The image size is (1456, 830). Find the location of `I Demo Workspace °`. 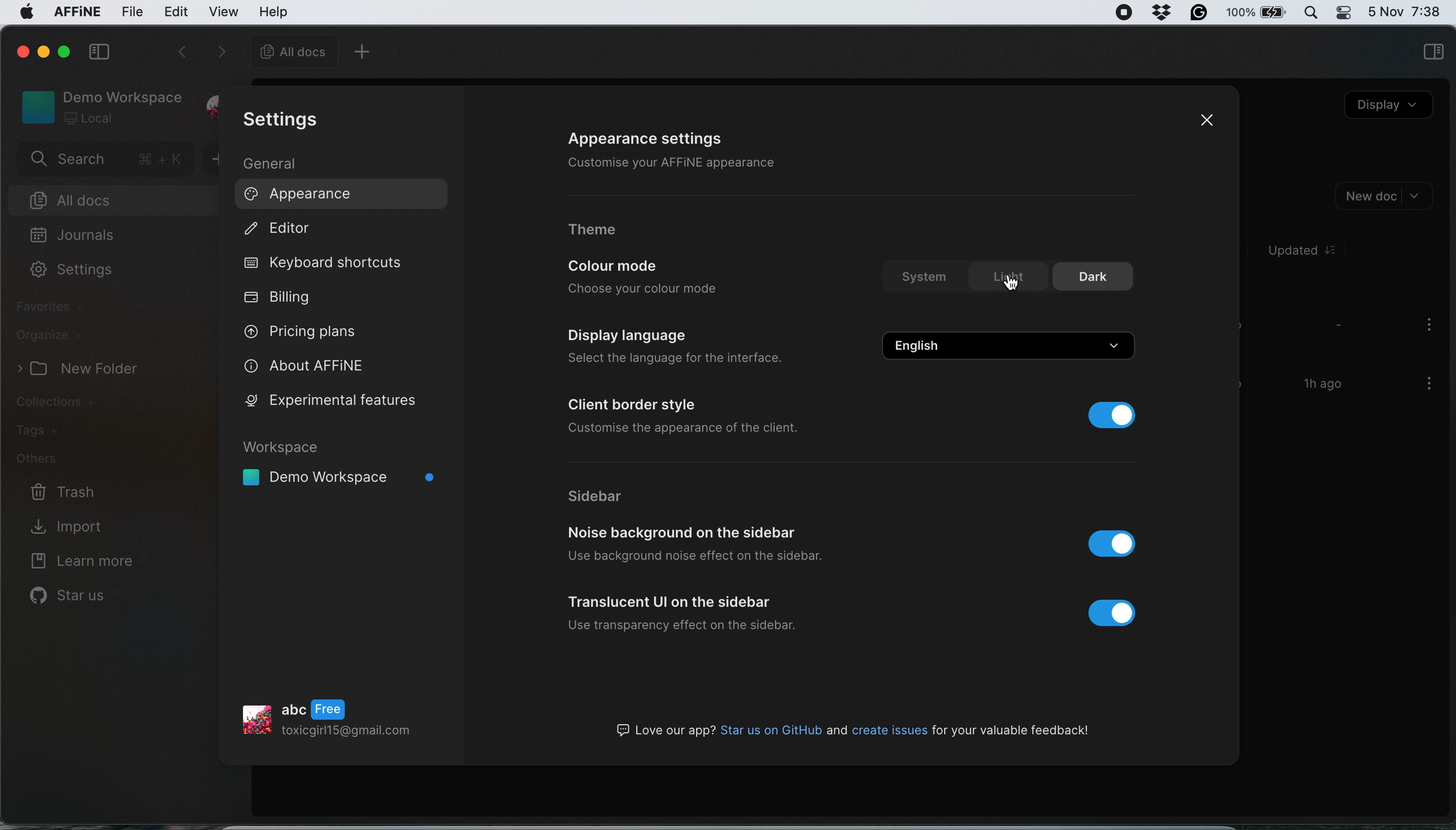

I Demo Workspace ° is located at coordinates (341, 478).